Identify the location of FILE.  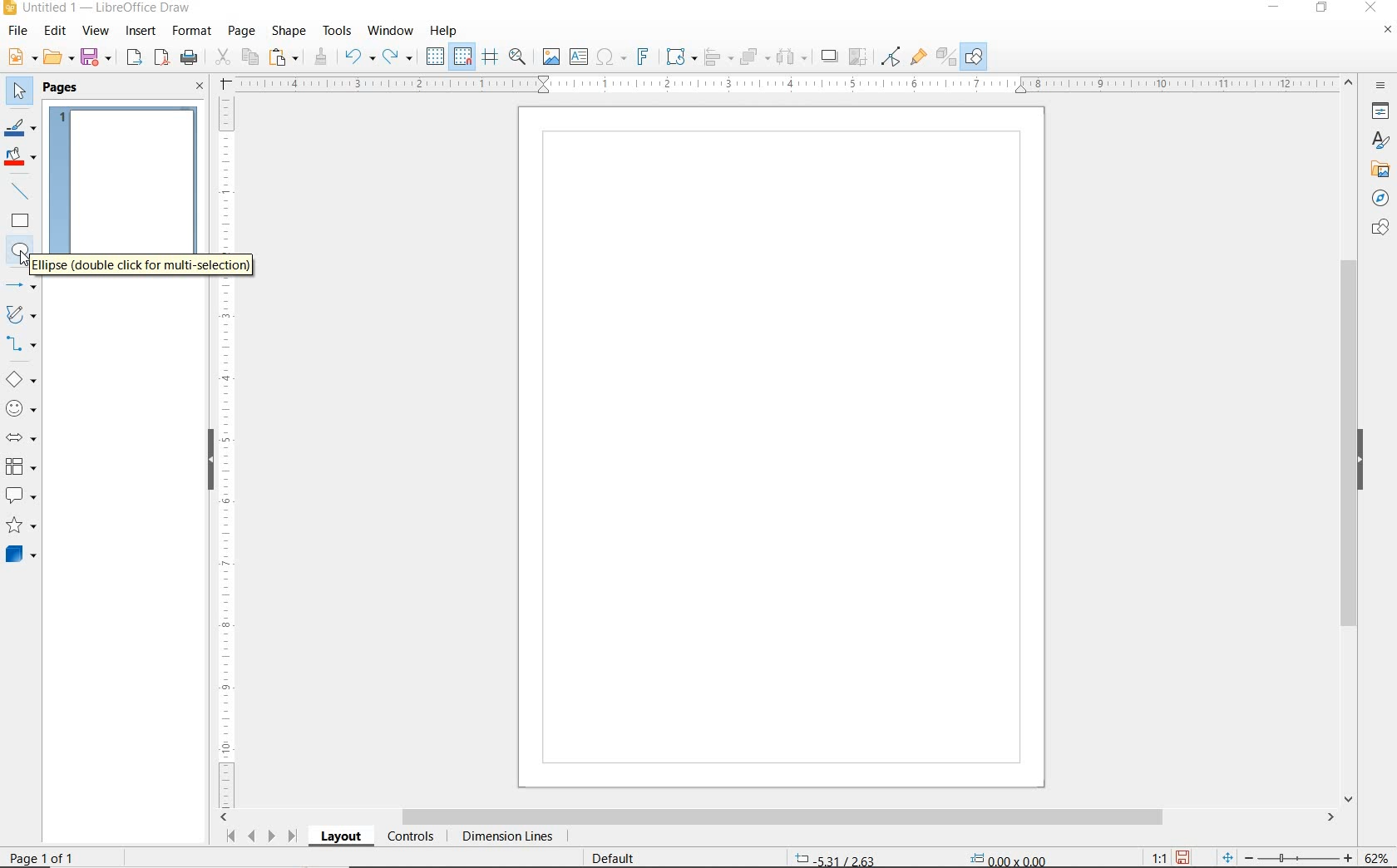
(19, 33).